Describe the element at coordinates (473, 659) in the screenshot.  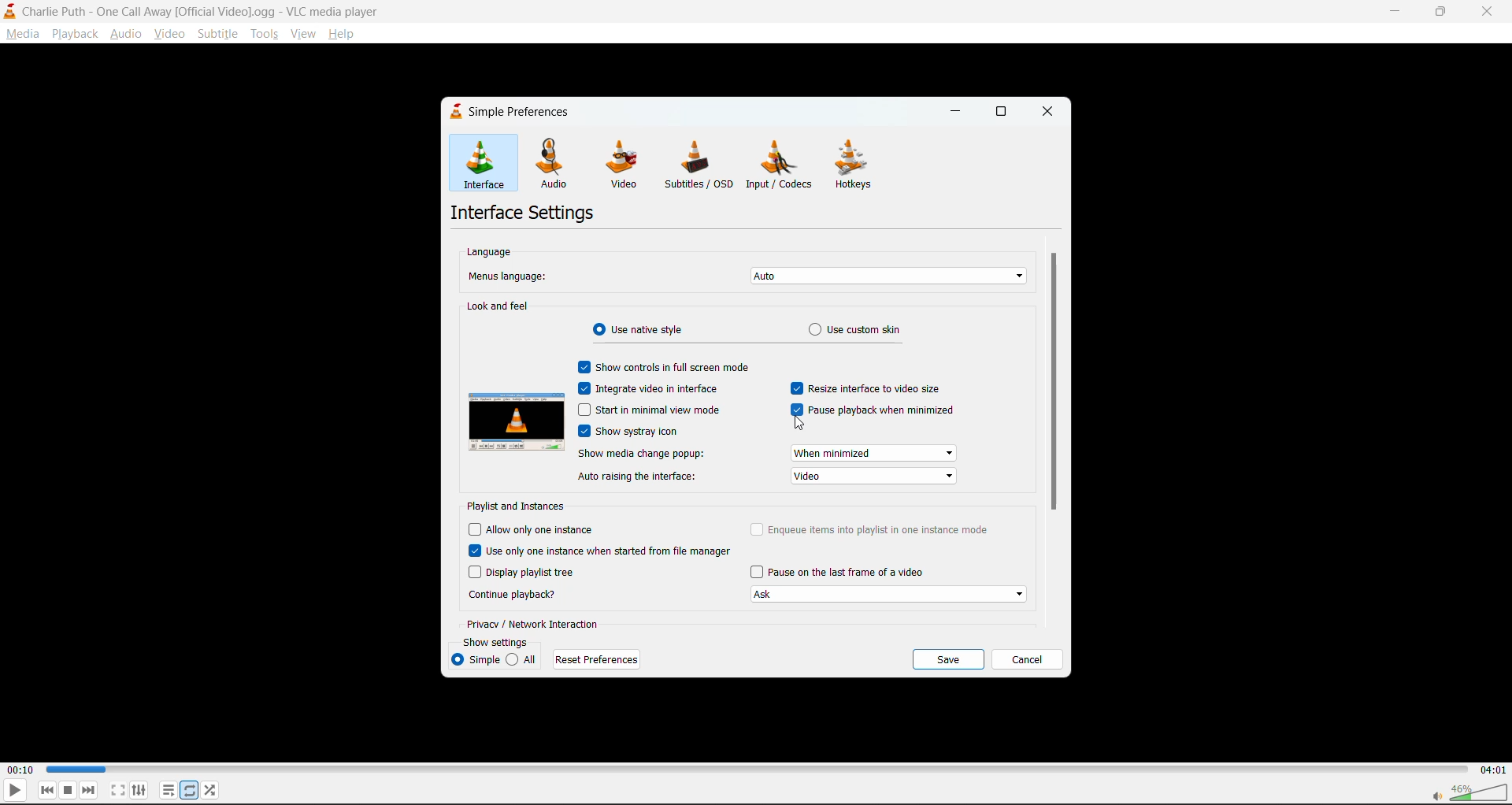
I see `simple ` at that location.